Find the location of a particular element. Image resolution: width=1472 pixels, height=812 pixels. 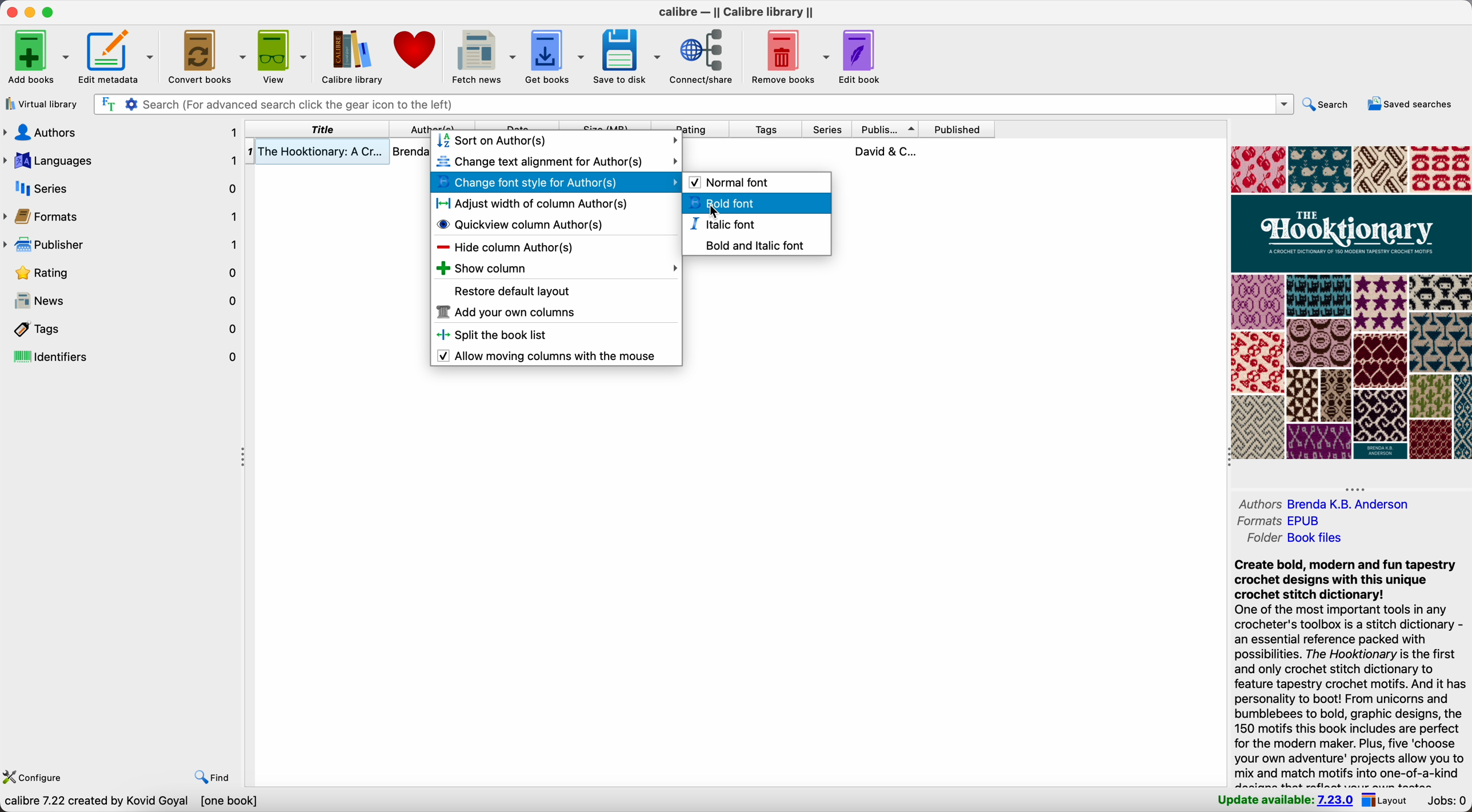

close program is located at coordinates (10, 11).